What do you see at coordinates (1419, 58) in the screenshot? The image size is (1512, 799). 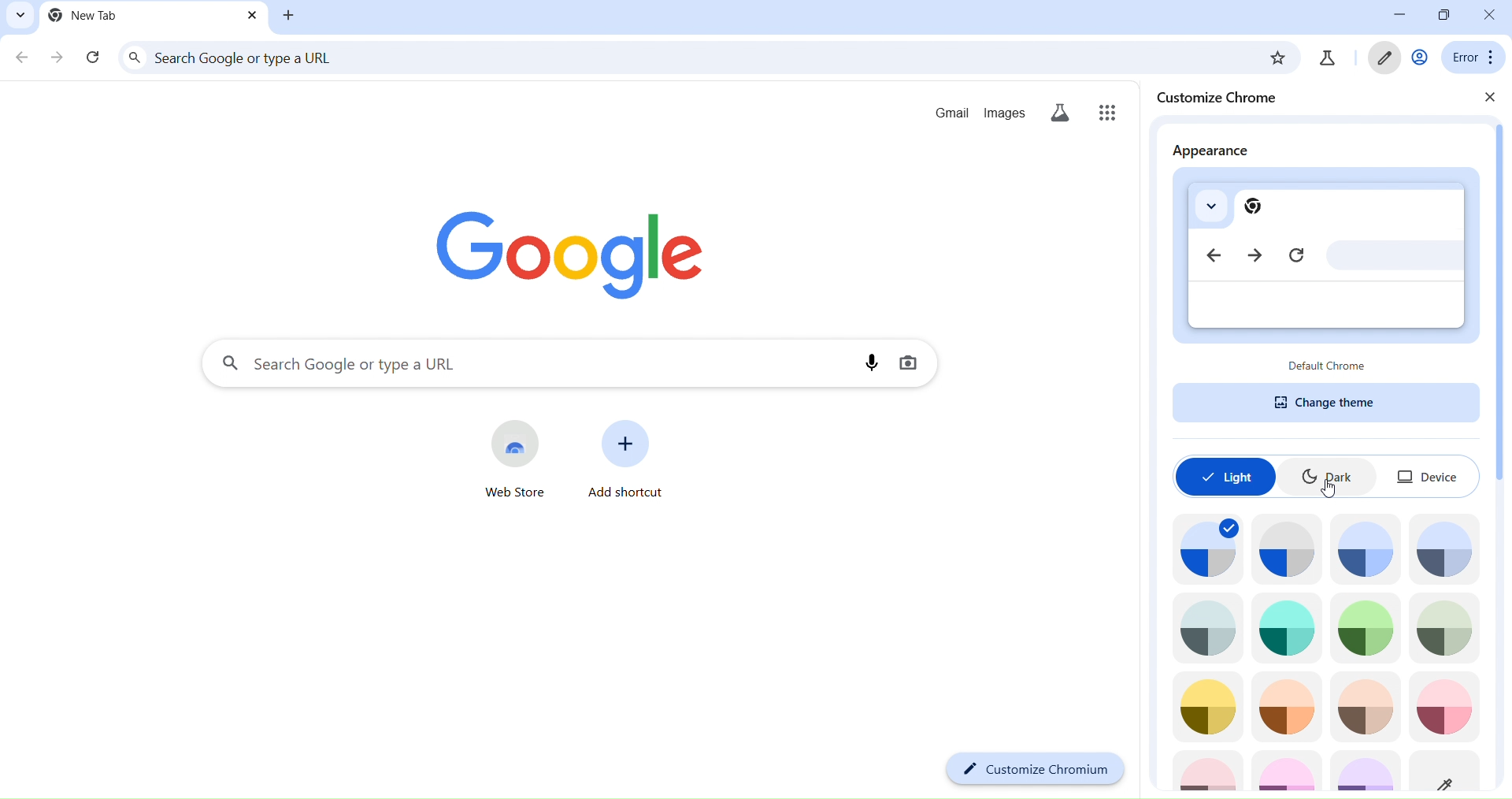 I see `account` at bounding box center [1419, 58].